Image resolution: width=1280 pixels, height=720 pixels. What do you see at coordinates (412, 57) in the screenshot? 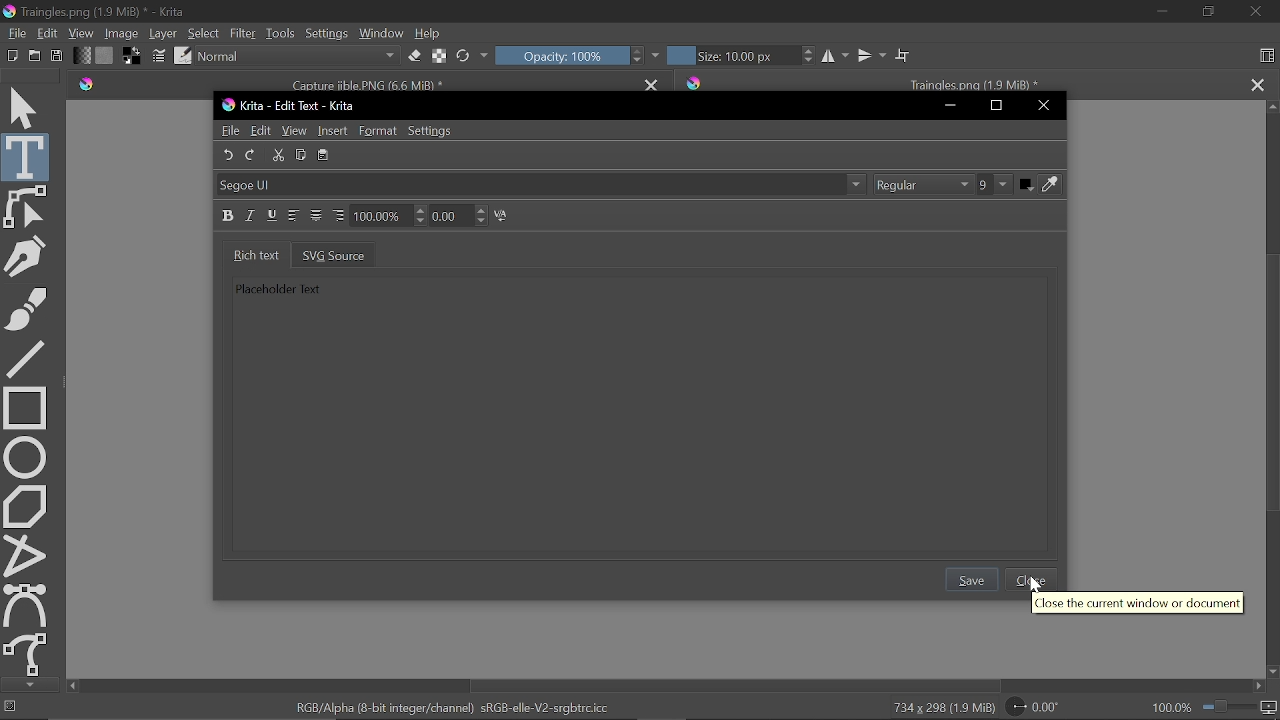
I see `Eraser` at bounding box center [412, 57].